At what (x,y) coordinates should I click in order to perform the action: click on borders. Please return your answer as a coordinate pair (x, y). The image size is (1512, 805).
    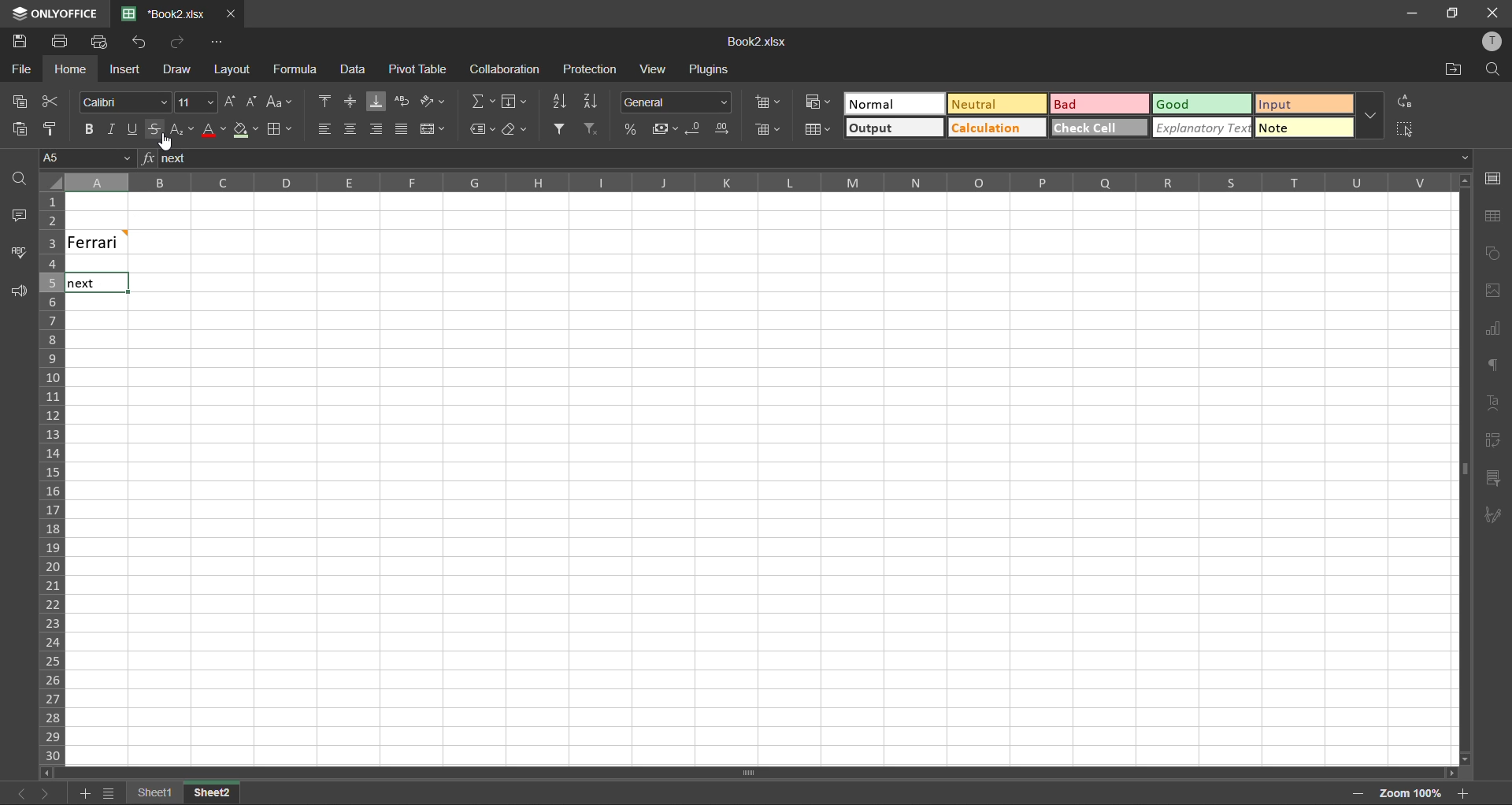
    Looking at the image, I should click on (280, 130).